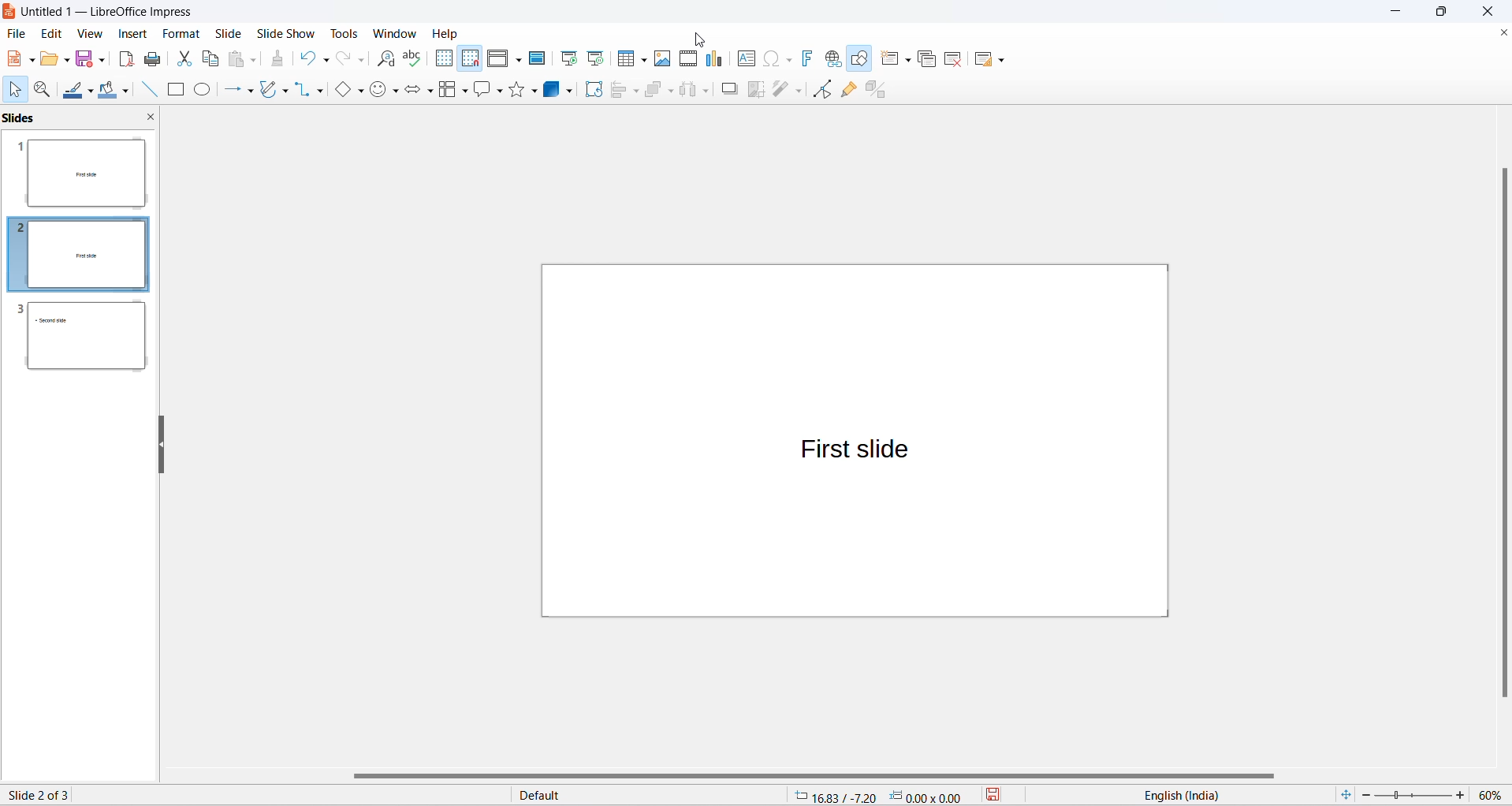 Image resolution: width=1512 pixels, height=806 pixels. I want to click on , so click(230, 31).